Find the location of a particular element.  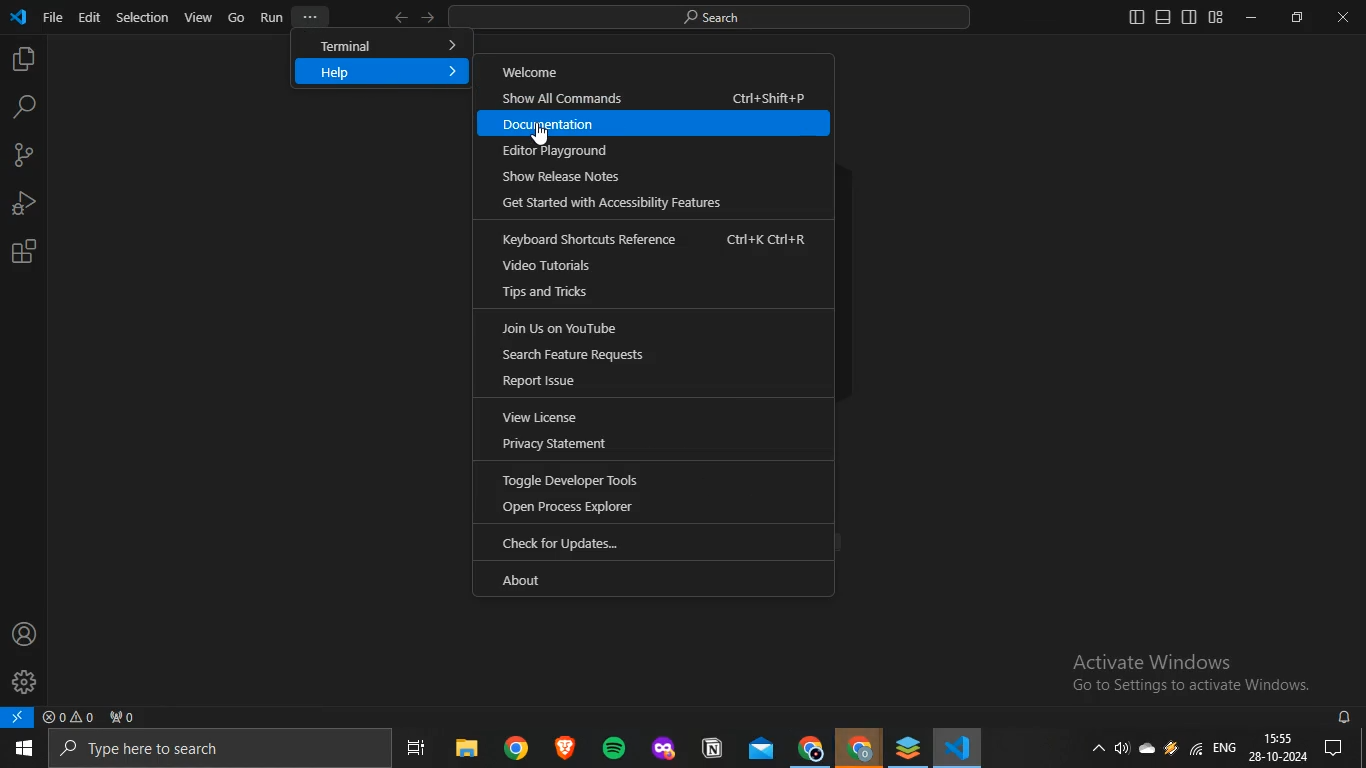

Video Tutorials is located at coordinates (653, 264).